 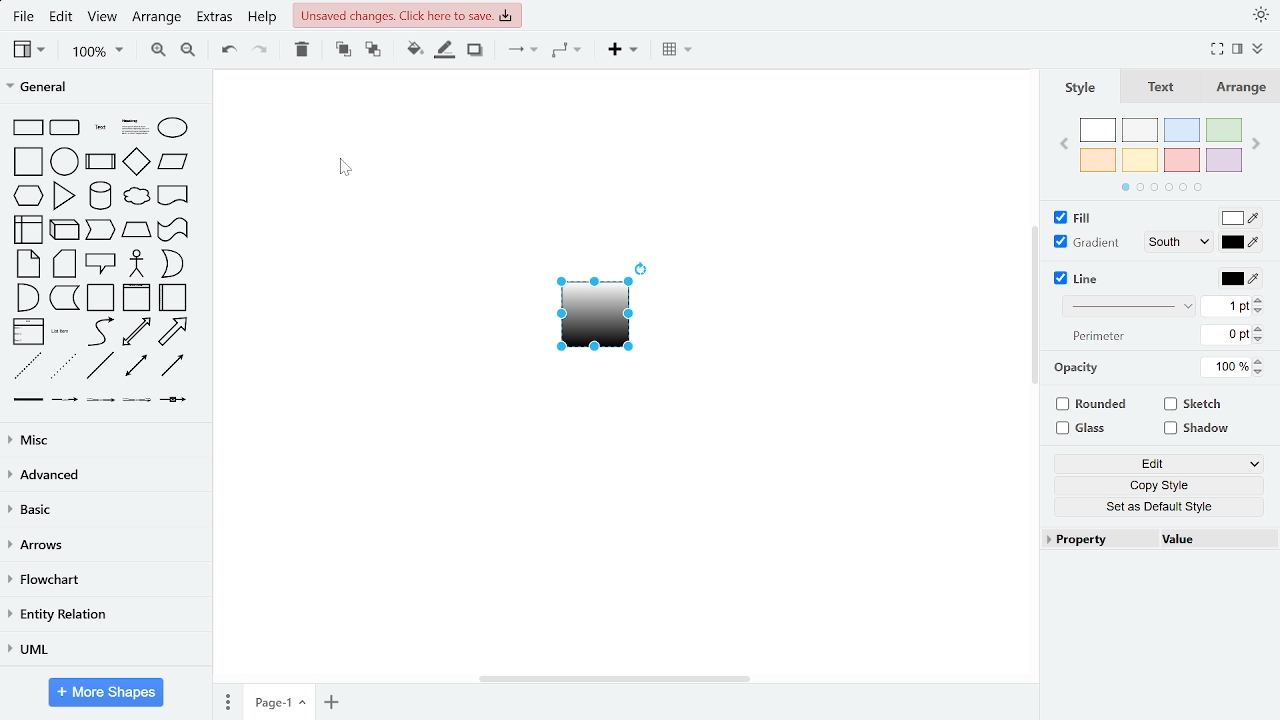 What do you see at coordinates (410, 16) in the screenshot?
I see `unsaved changes. Click here to save` at bounding box center [410, 16].